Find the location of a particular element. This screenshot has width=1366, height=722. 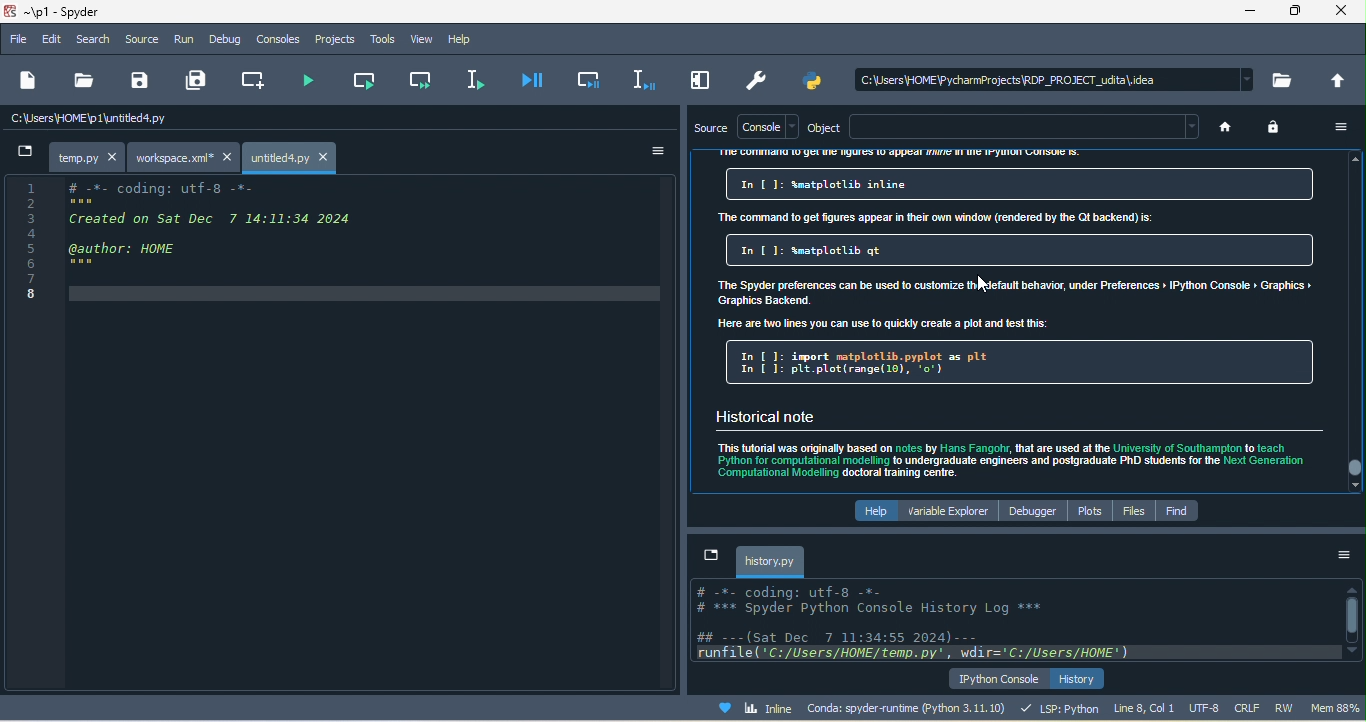

home is located at coordinates (1225, 127).